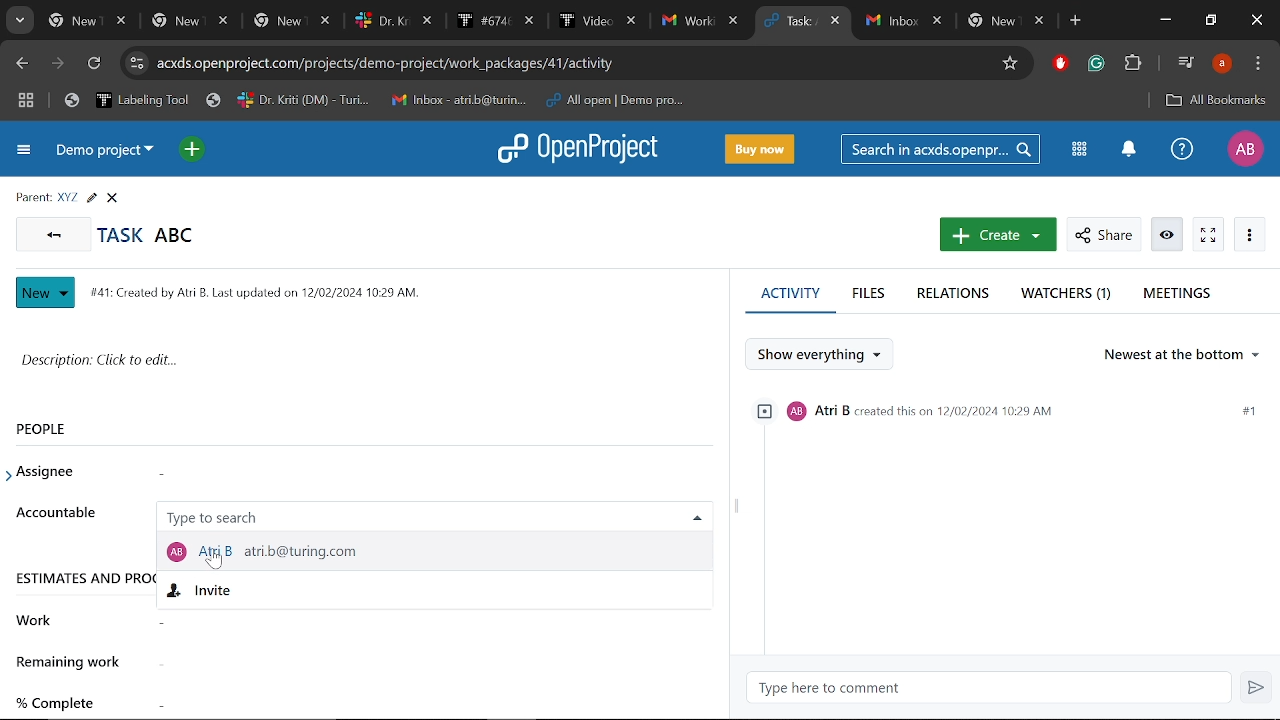  What do you see at coordinates (24, 152) in the screenshot?
I see `Expand project menu` at bounding box center [24, 152].